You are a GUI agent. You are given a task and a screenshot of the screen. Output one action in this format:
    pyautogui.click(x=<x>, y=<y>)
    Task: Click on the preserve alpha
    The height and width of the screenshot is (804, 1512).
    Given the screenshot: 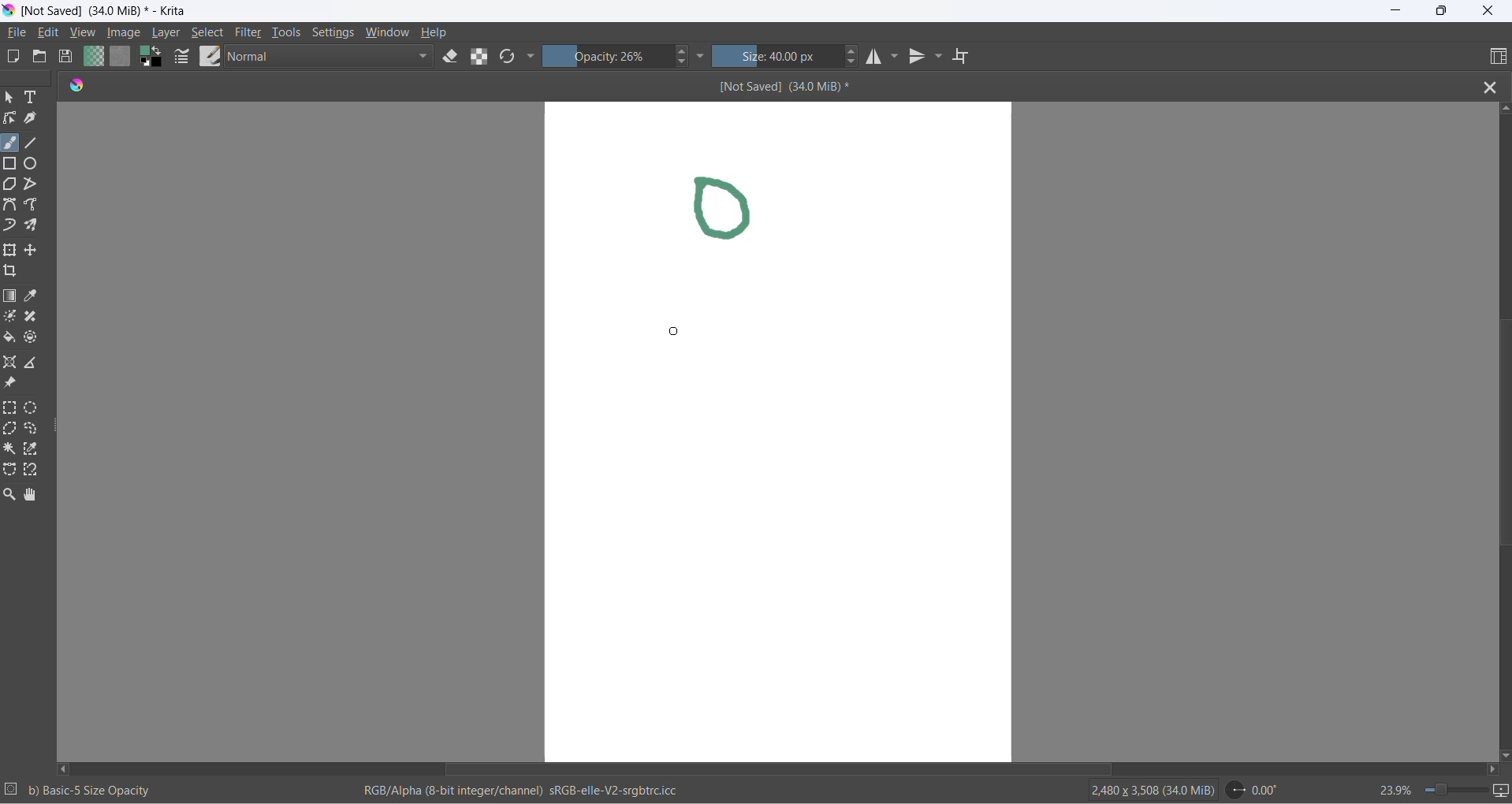 What is the action you would take?
    pyautogui.click(x=479, y=56)
    